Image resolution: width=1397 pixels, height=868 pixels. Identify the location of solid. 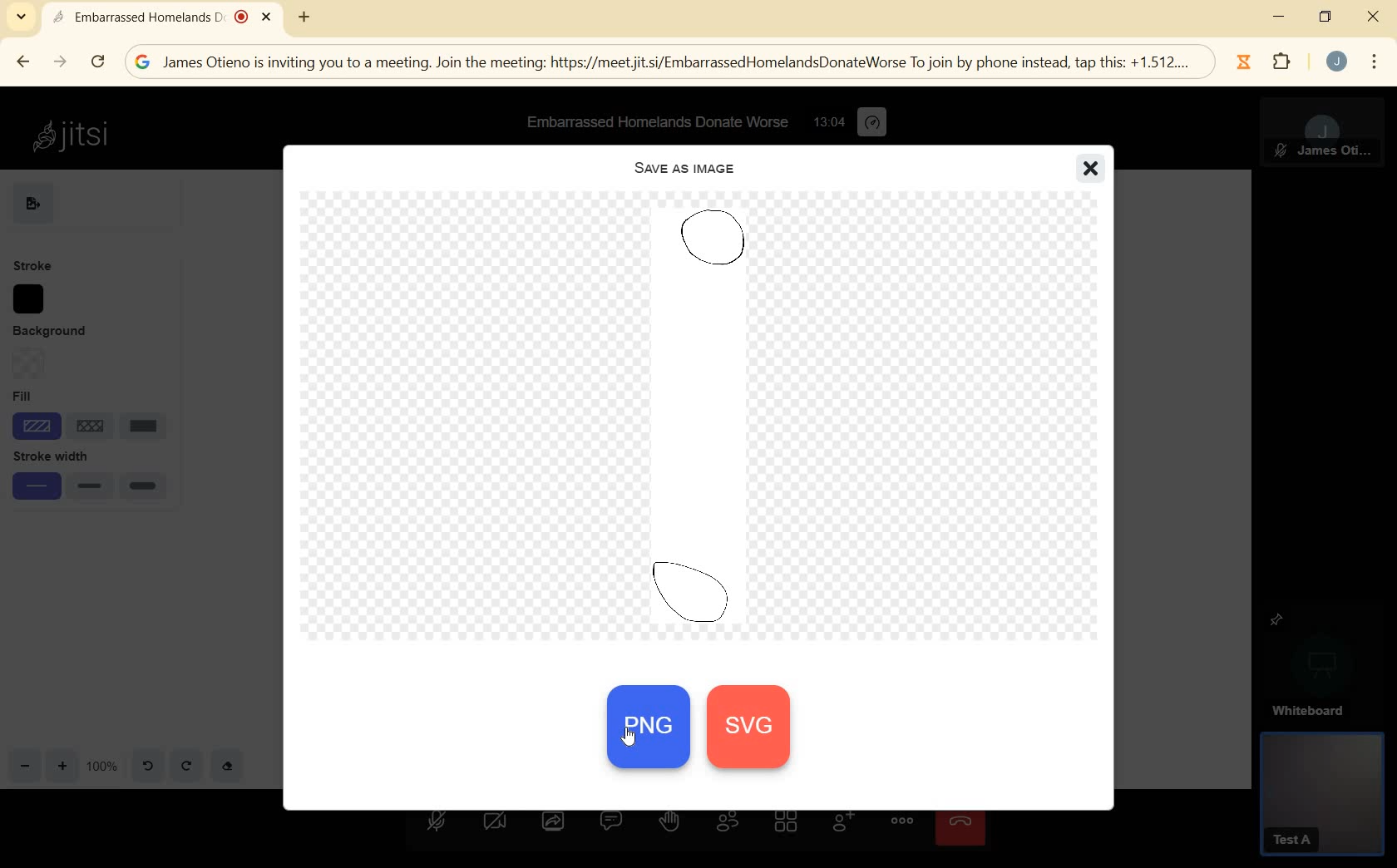
(146, 426).